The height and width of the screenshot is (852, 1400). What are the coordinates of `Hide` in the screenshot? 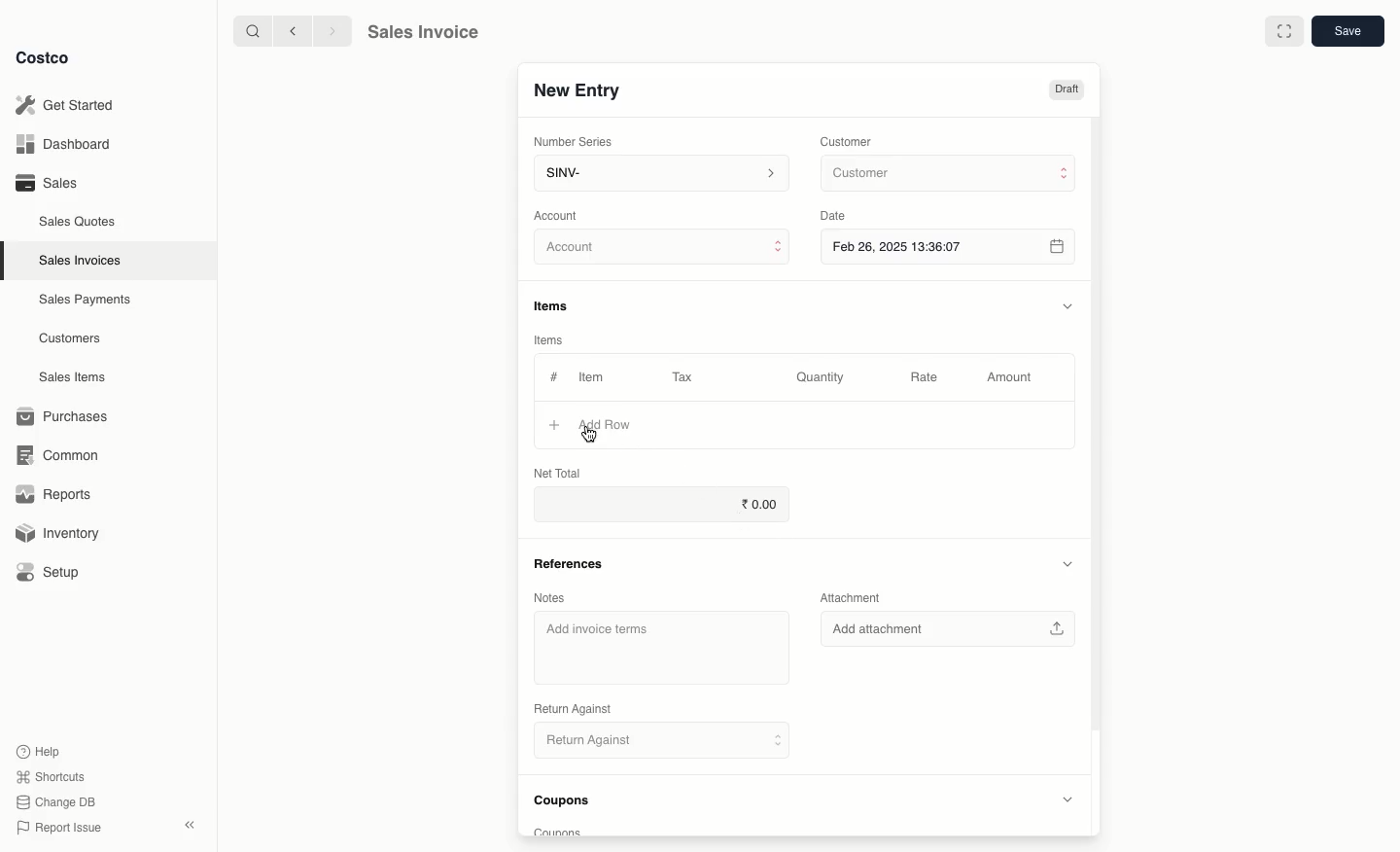 It's located at (1069, 563).